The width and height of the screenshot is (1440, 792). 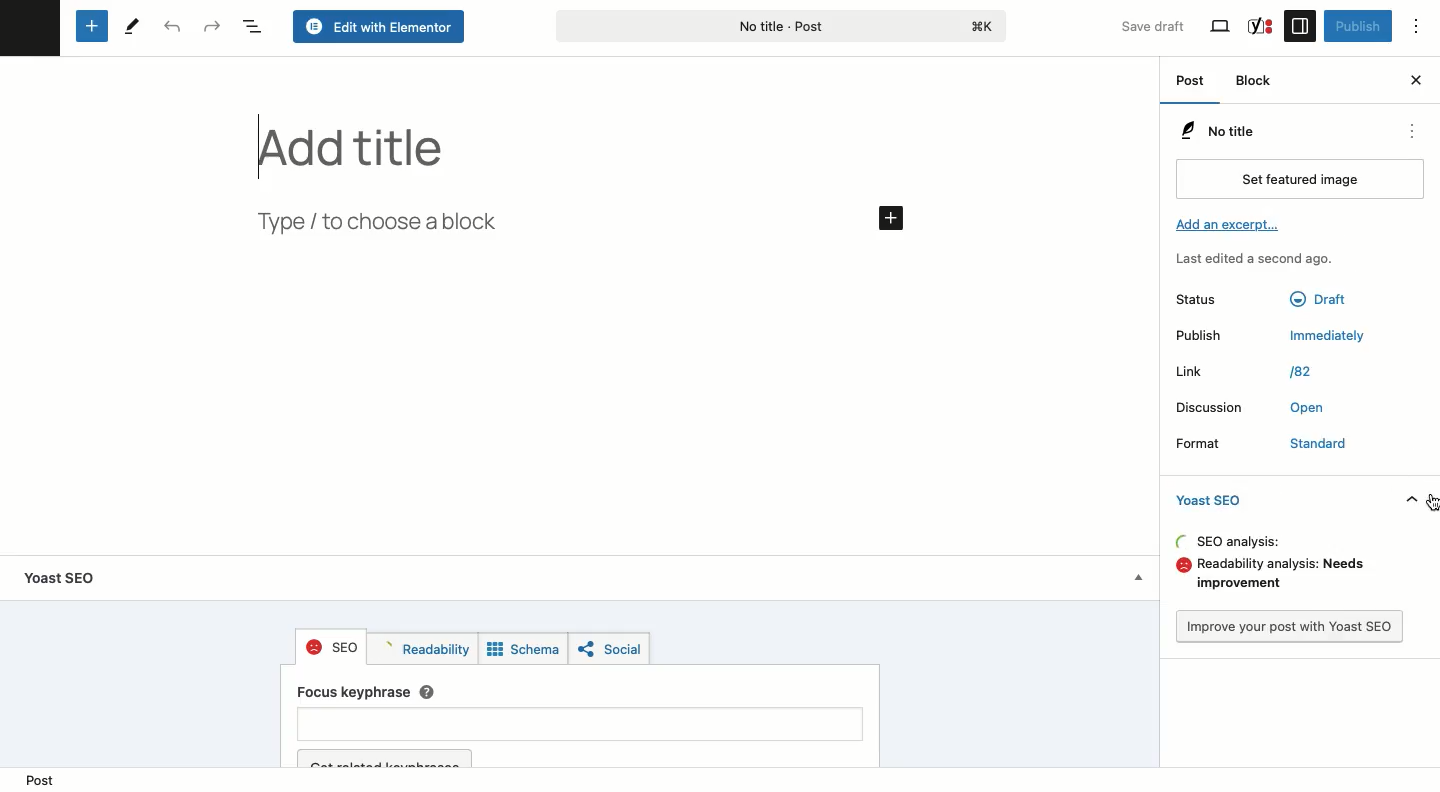 What do you see at coordinates (1222, 27) in the screenshot?
I see `View` at bounding box center [1222, 27].